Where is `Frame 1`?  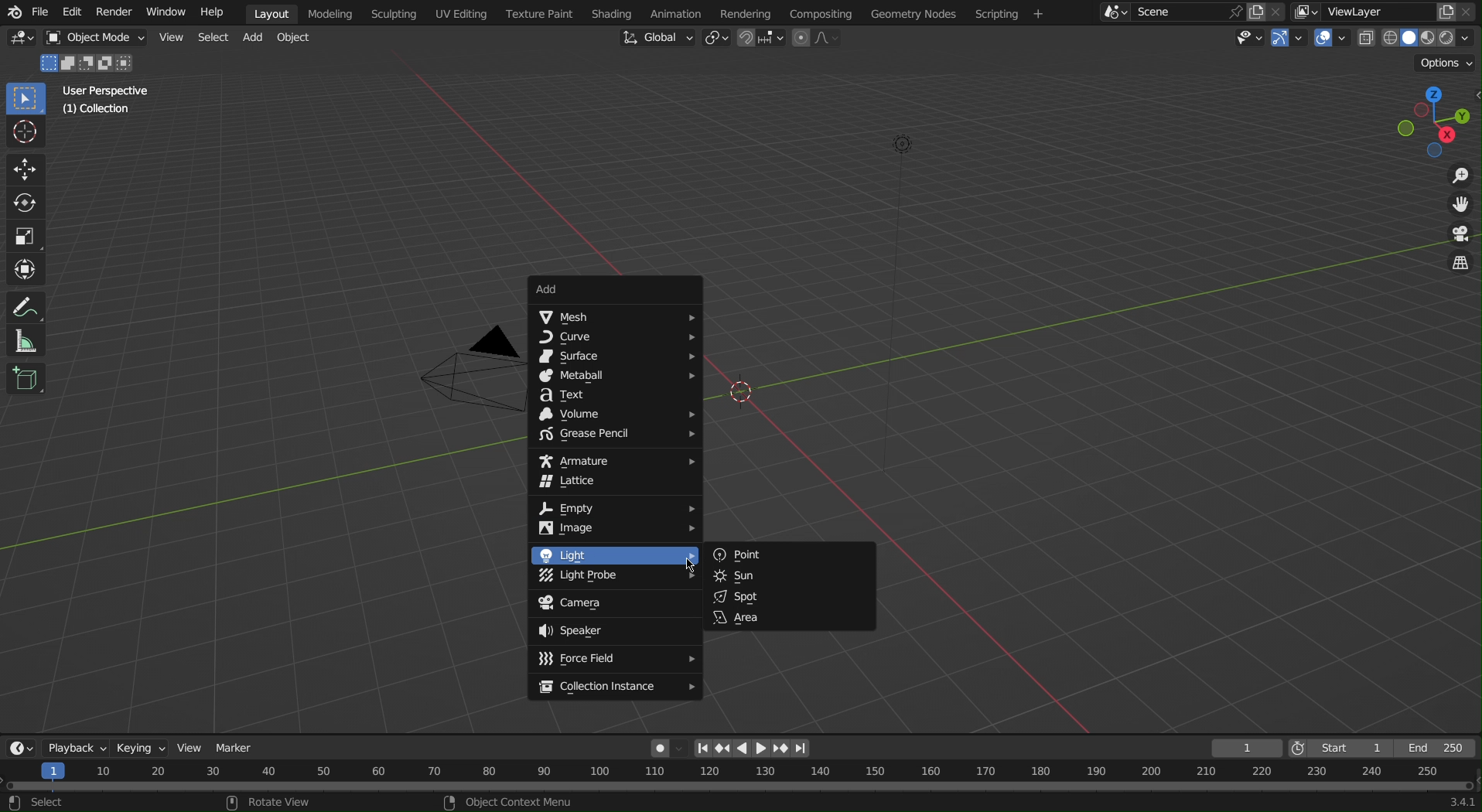 Frame 1 is located at coordinates (1248, 748).